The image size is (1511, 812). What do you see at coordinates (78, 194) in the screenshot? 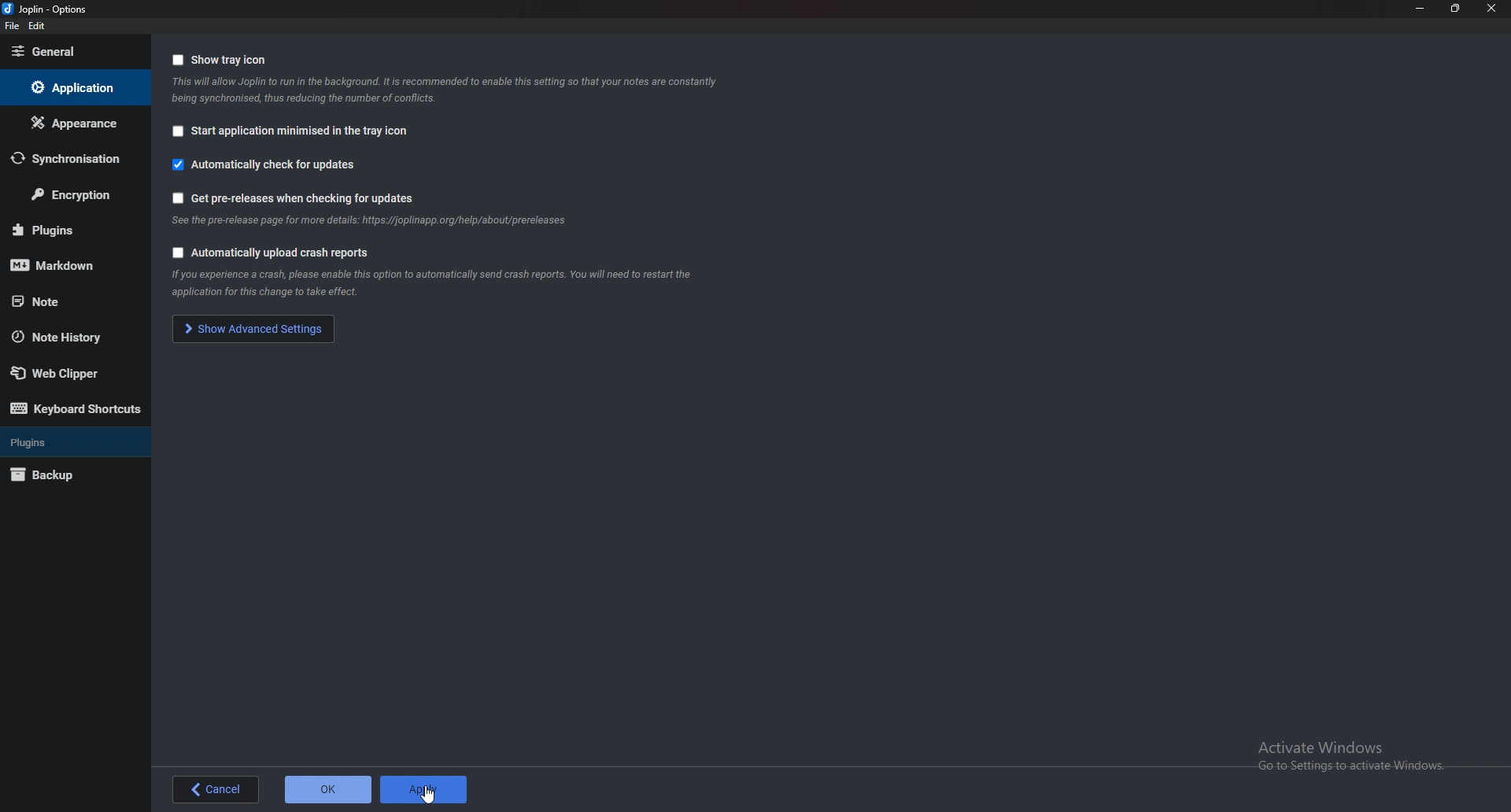
I see `Encryption` at bounding box center [78, 194].